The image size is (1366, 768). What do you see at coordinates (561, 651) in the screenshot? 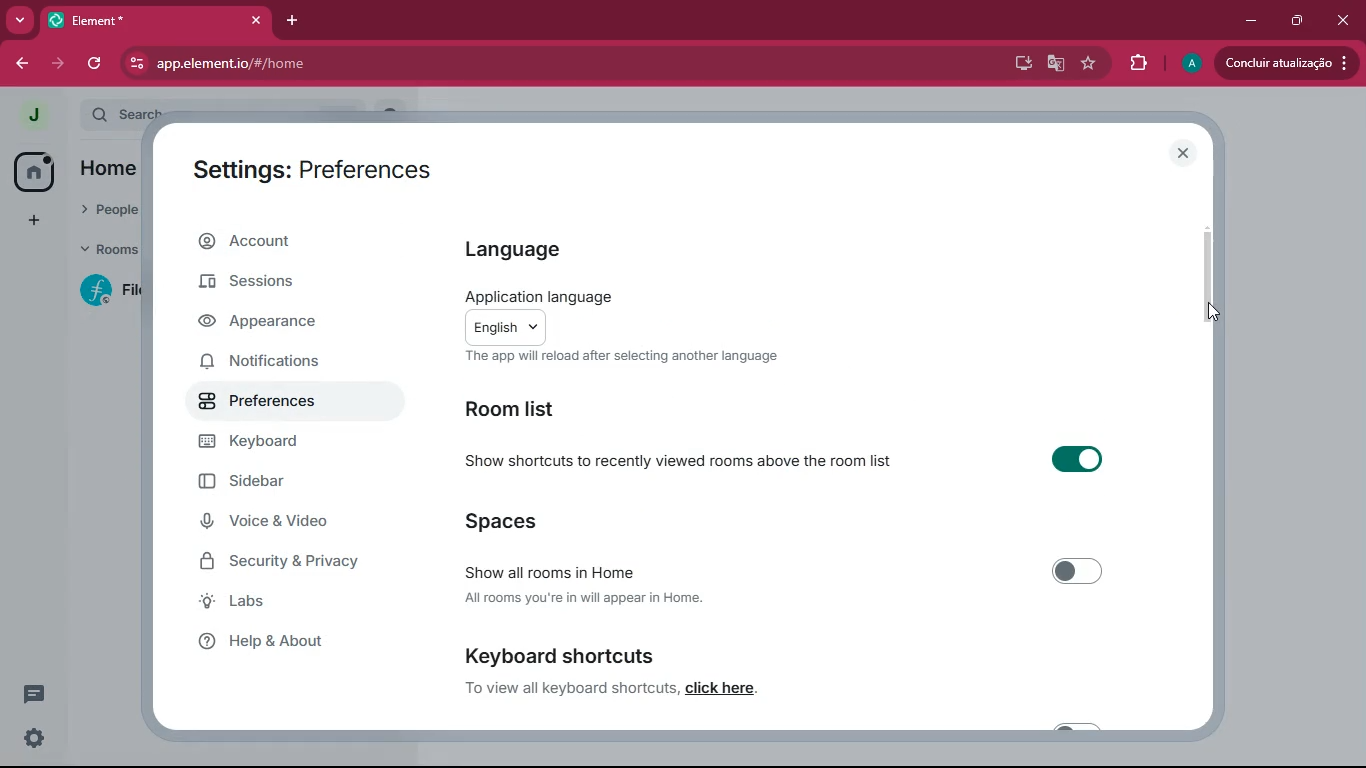
I see `keyboard shortcuts` at bounding box center [561, 651].